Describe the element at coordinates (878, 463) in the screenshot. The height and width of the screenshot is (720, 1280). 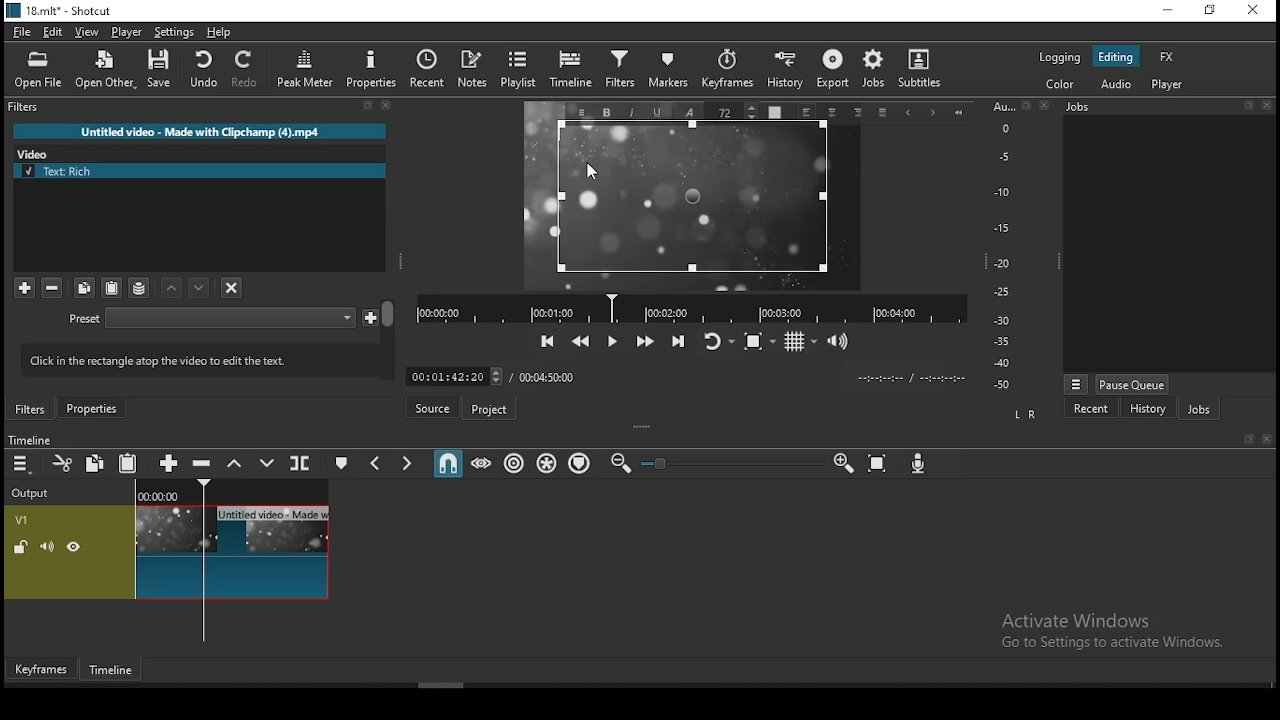
I see `zoom timeline to fit` at that location.